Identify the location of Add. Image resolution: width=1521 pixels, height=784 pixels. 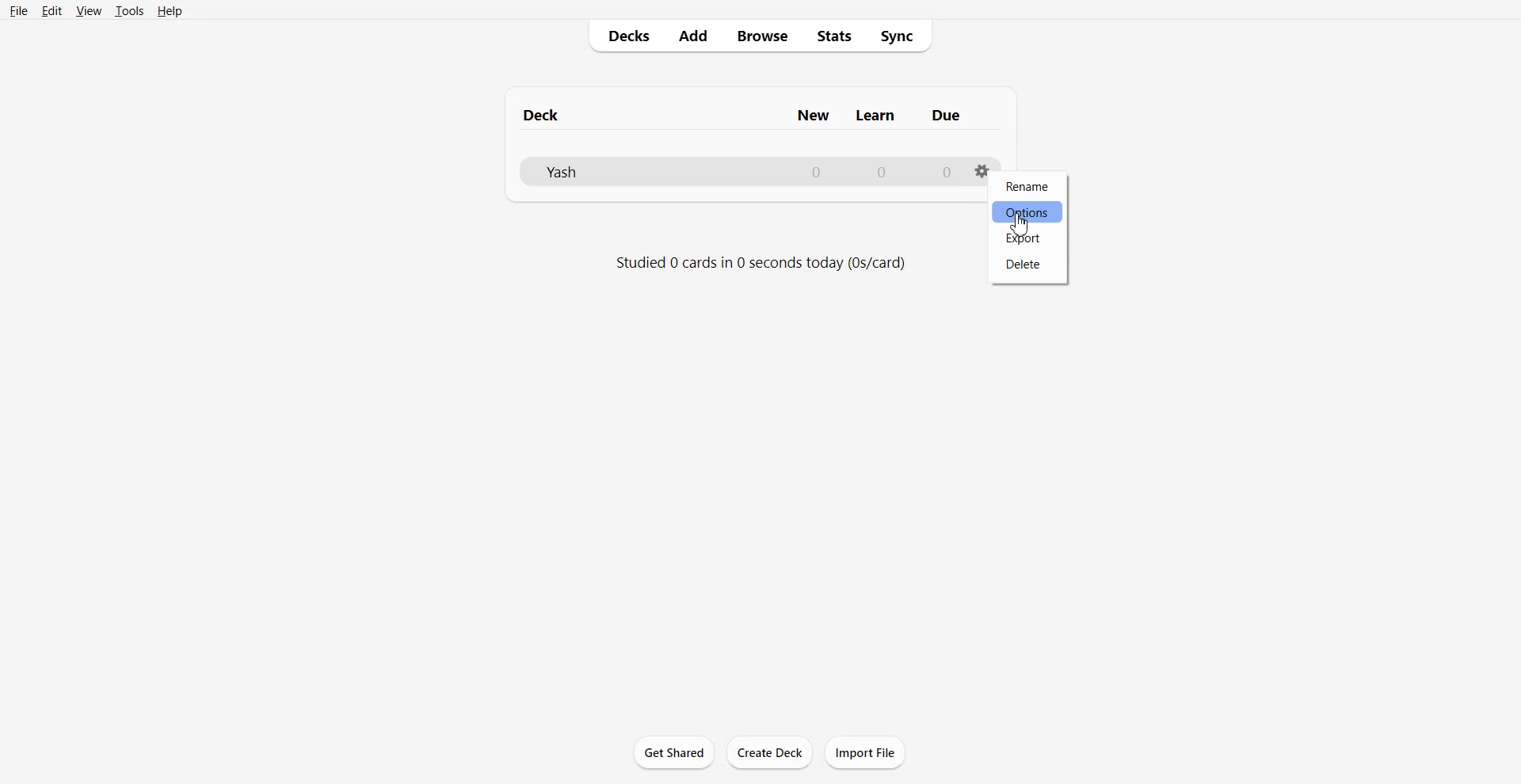
(692, 36).